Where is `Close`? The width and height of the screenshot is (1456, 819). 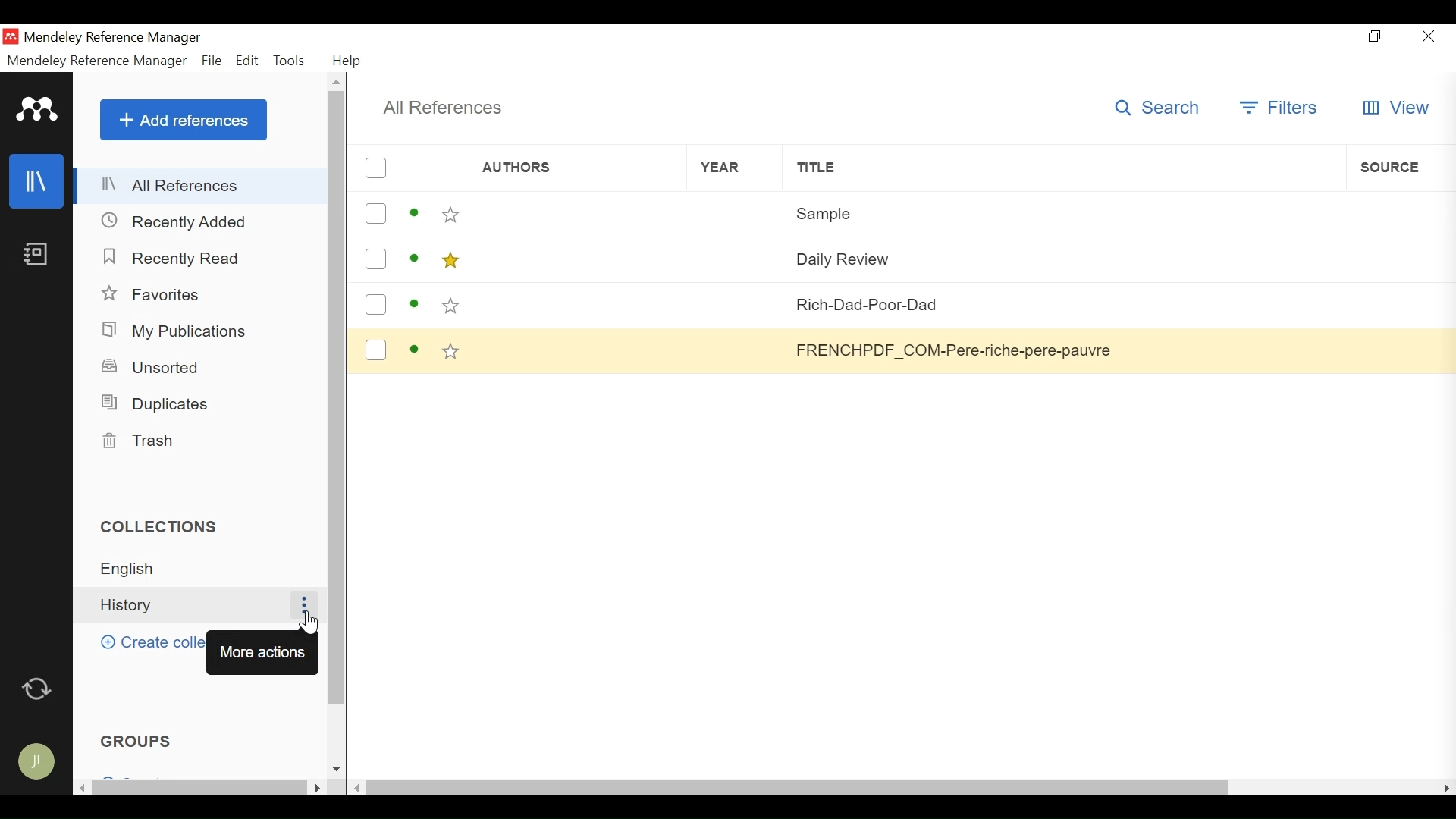
Close is located at coordinates (1426, 36).